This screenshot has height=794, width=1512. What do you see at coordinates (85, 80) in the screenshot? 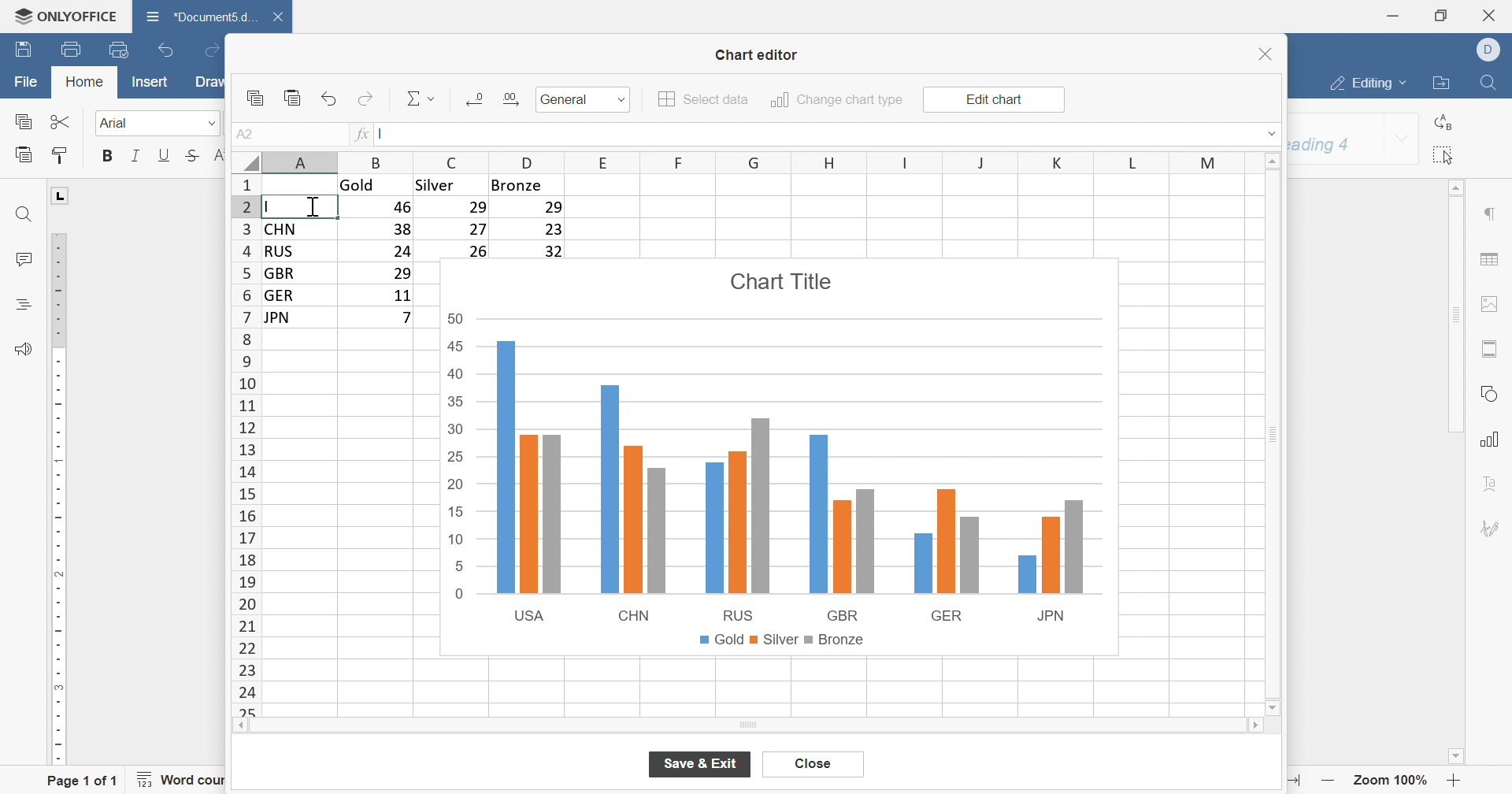
I see `home` at bounding box center [85, 80].